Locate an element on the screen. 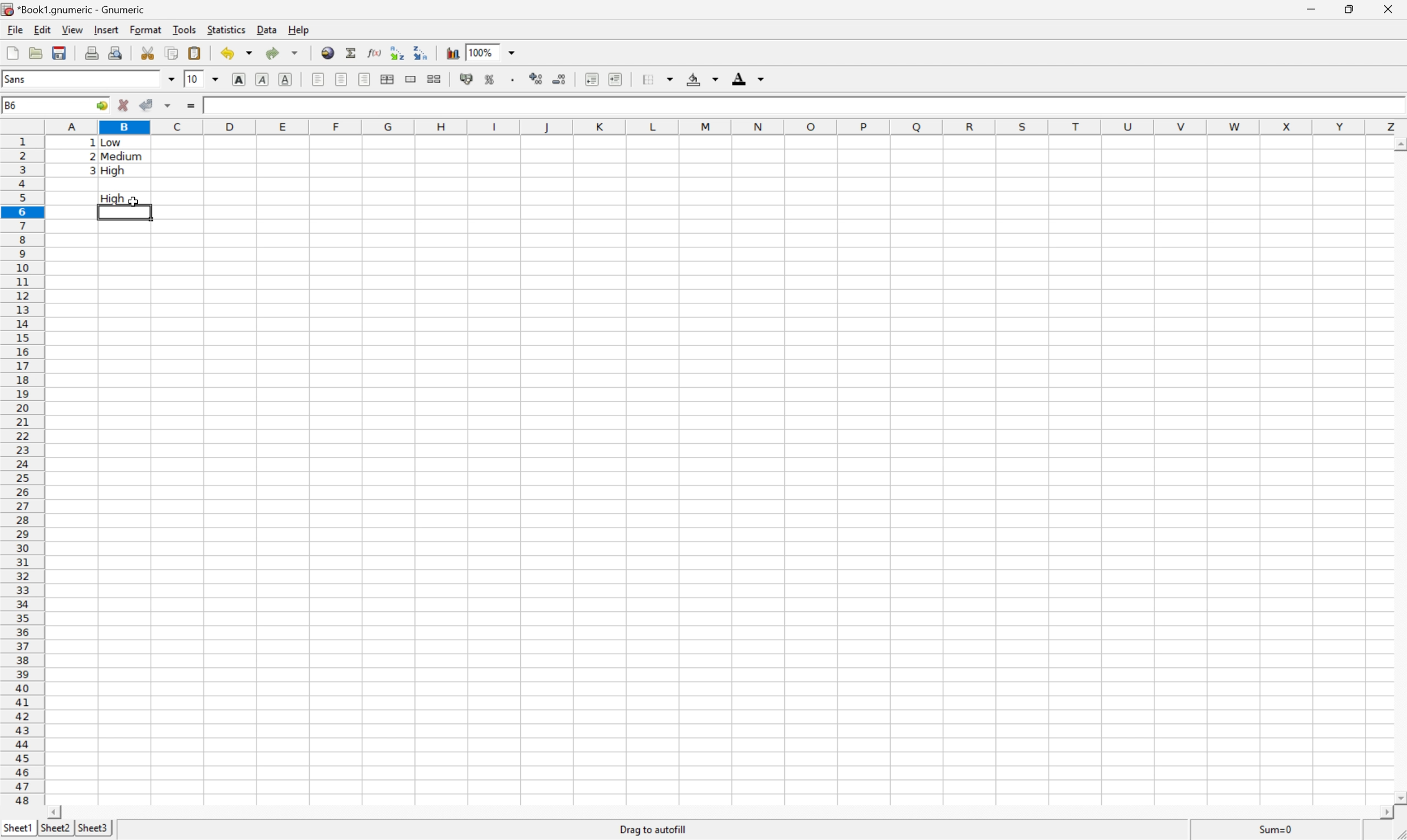 Image resolution: width=1407 pixels, height=840 pixels. Center horizontally across the selection is located at coordinates (386, 78).